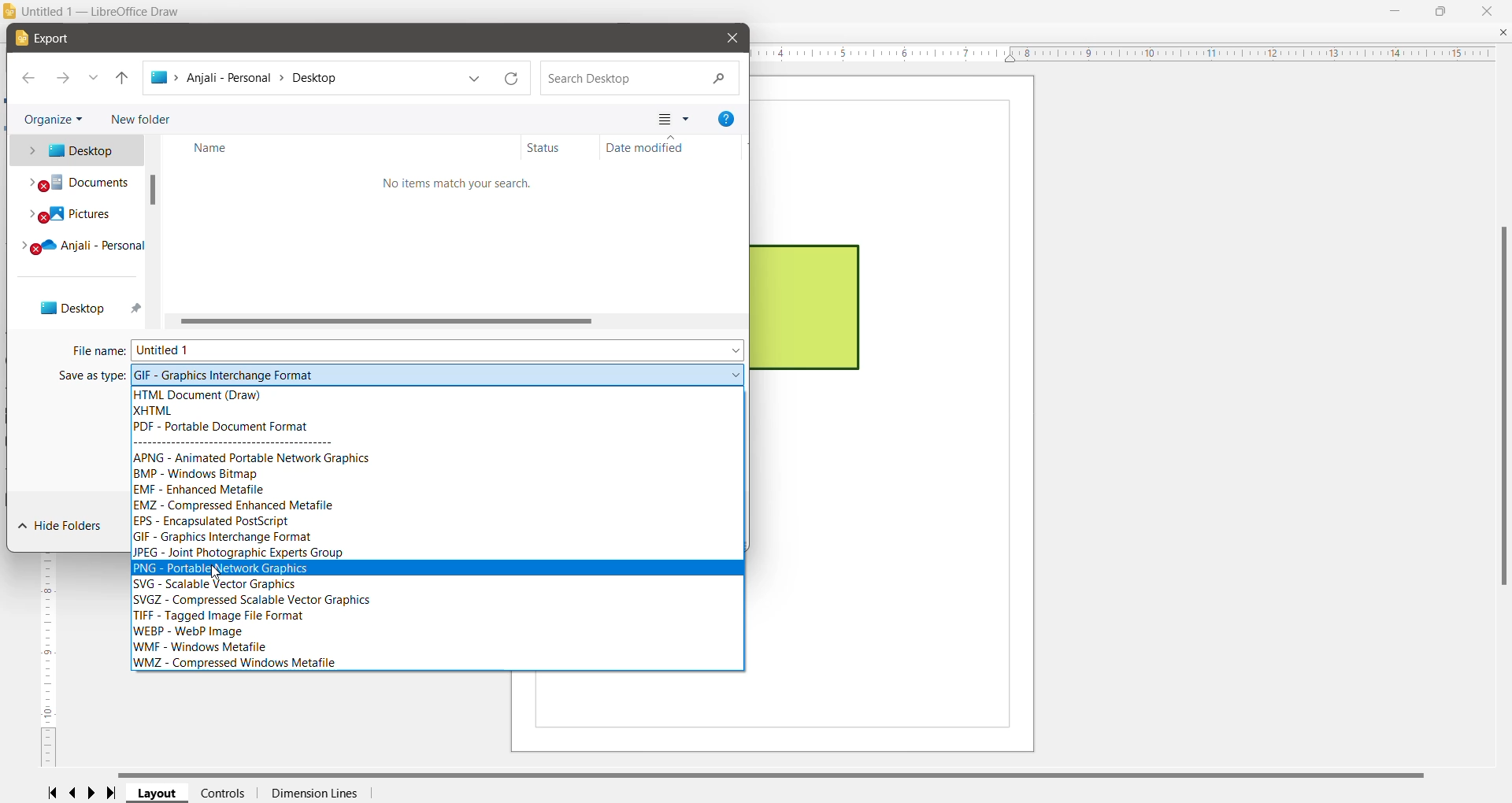  What do you see at coordinates (50, 39) in the screenshot?
I see `Export` at bounding box center [50, 39].